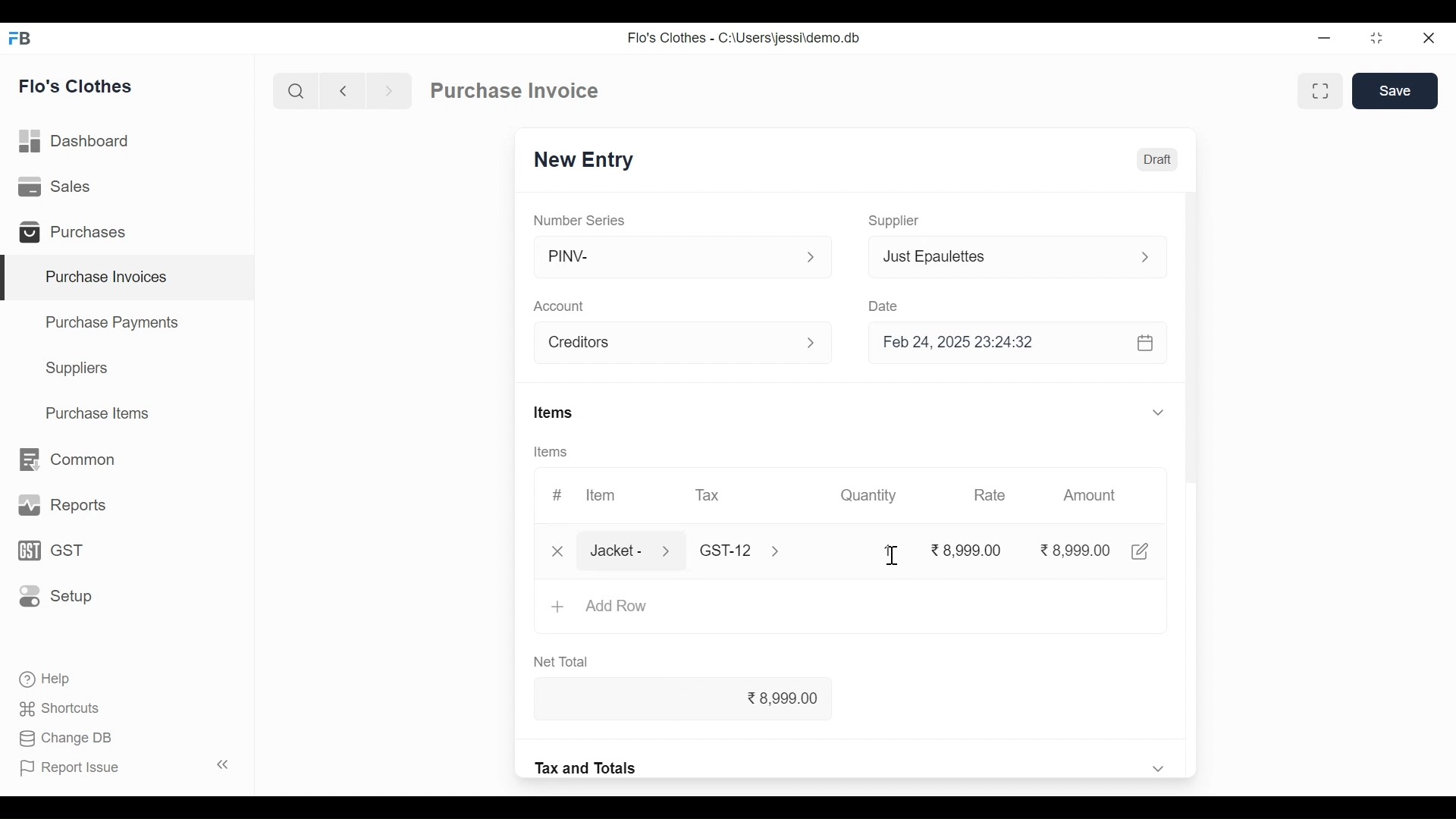  What do you see at coordinates (811, 257) in the screenshot?
I see `expand` at bounding box center [811, 257].